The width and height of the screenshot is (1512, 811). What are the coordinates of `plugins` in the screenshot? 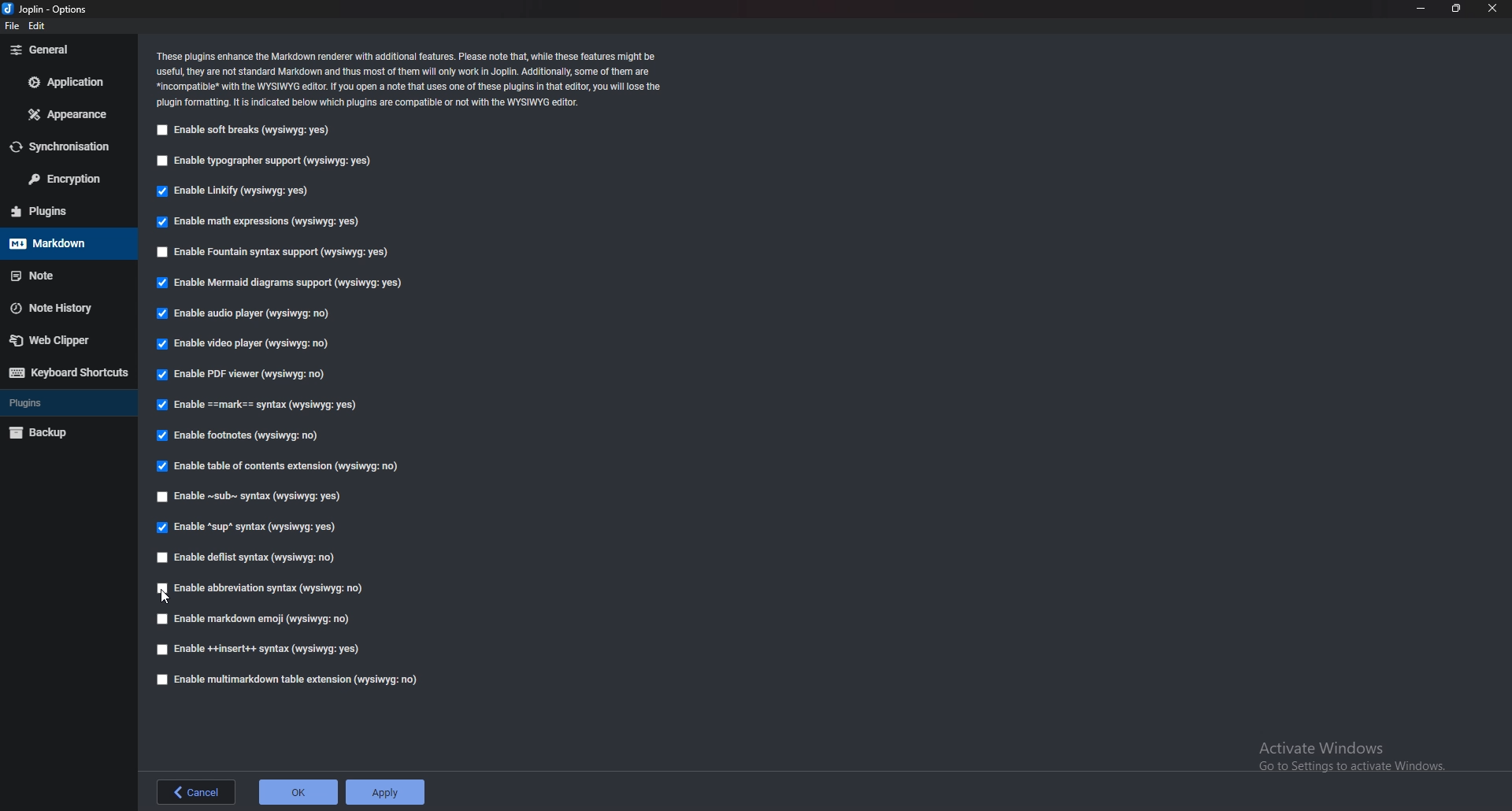 It's located at (66, 402).